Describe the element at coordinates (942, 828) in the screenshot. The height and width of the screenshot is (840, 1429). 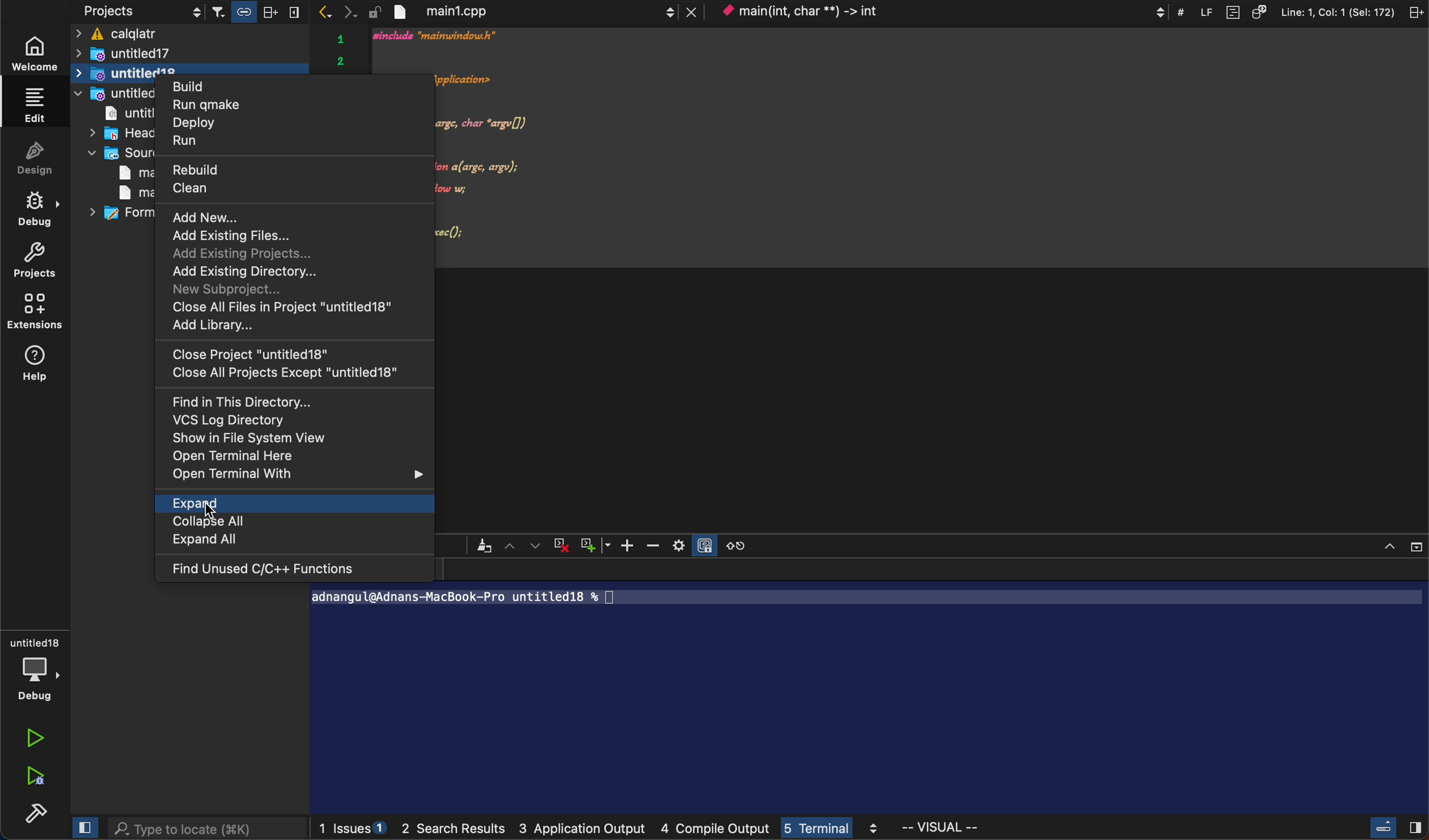
I see `visual` at that location.